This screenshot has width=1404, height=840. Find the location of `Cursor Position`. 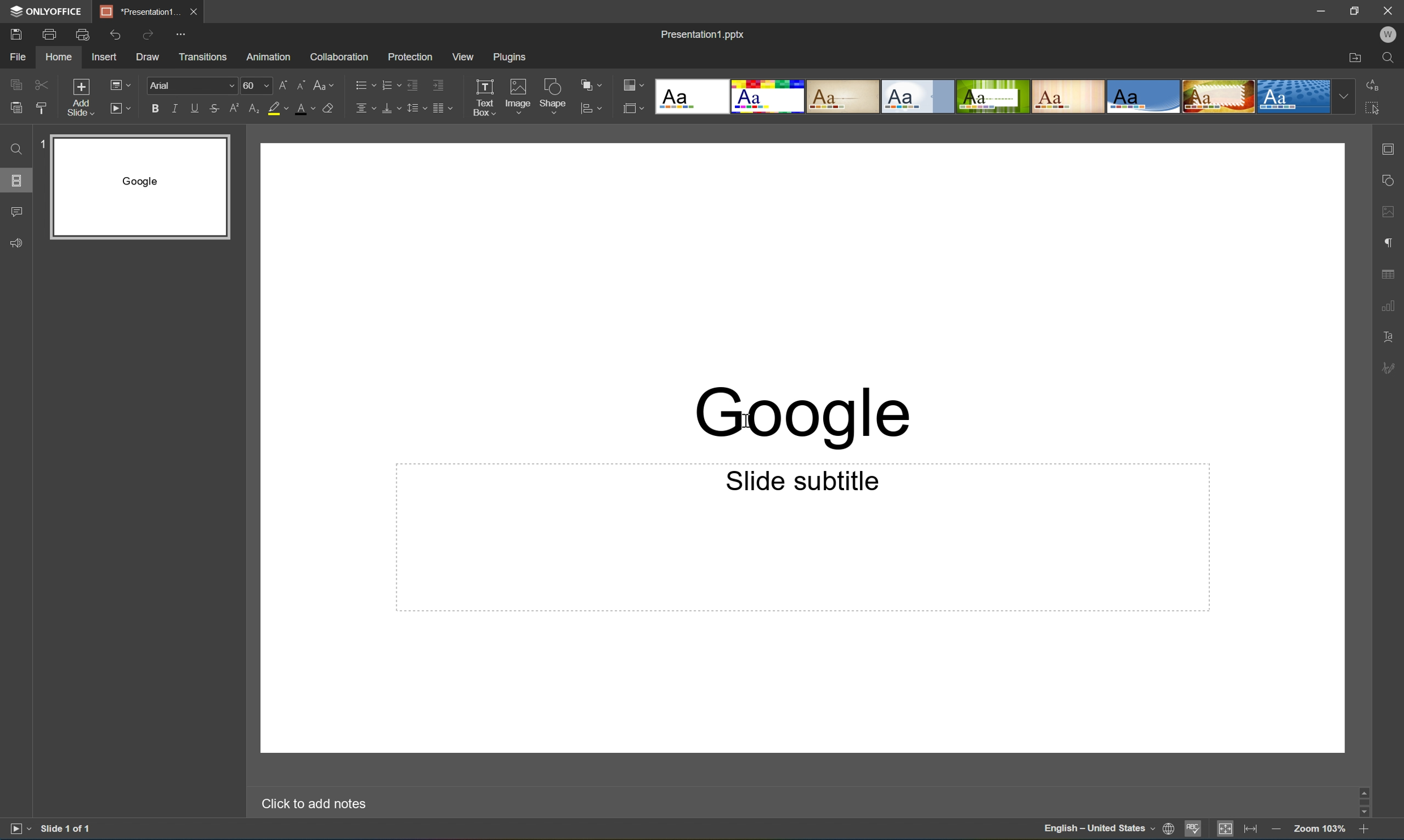

Cursor Position is located at coordinates (744, 422).